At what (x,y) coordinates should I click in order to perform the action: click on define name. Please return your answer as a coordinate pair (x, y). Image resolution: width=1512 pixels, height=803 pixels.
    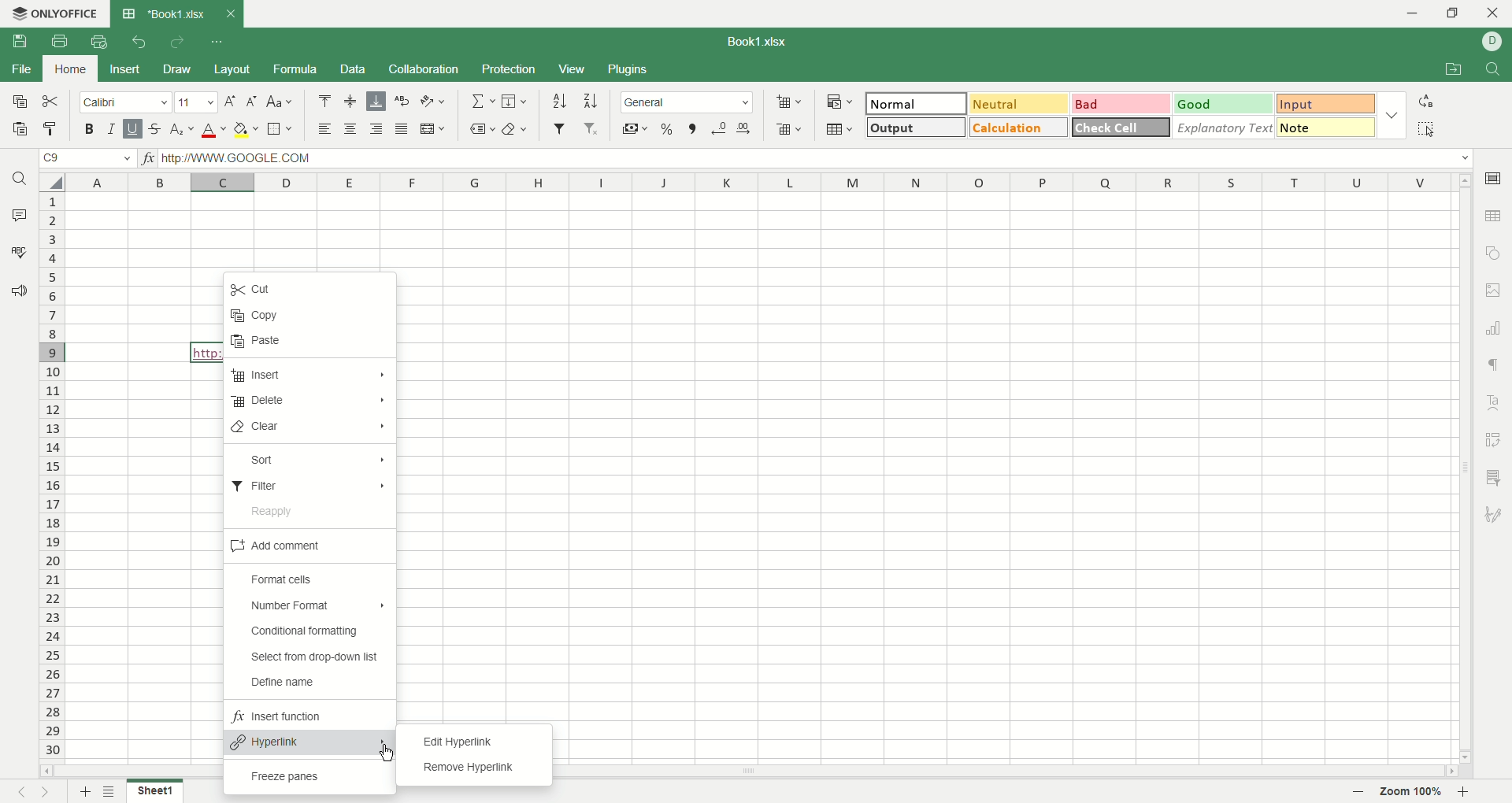
    Looking at the image, I should click on (295, 684).